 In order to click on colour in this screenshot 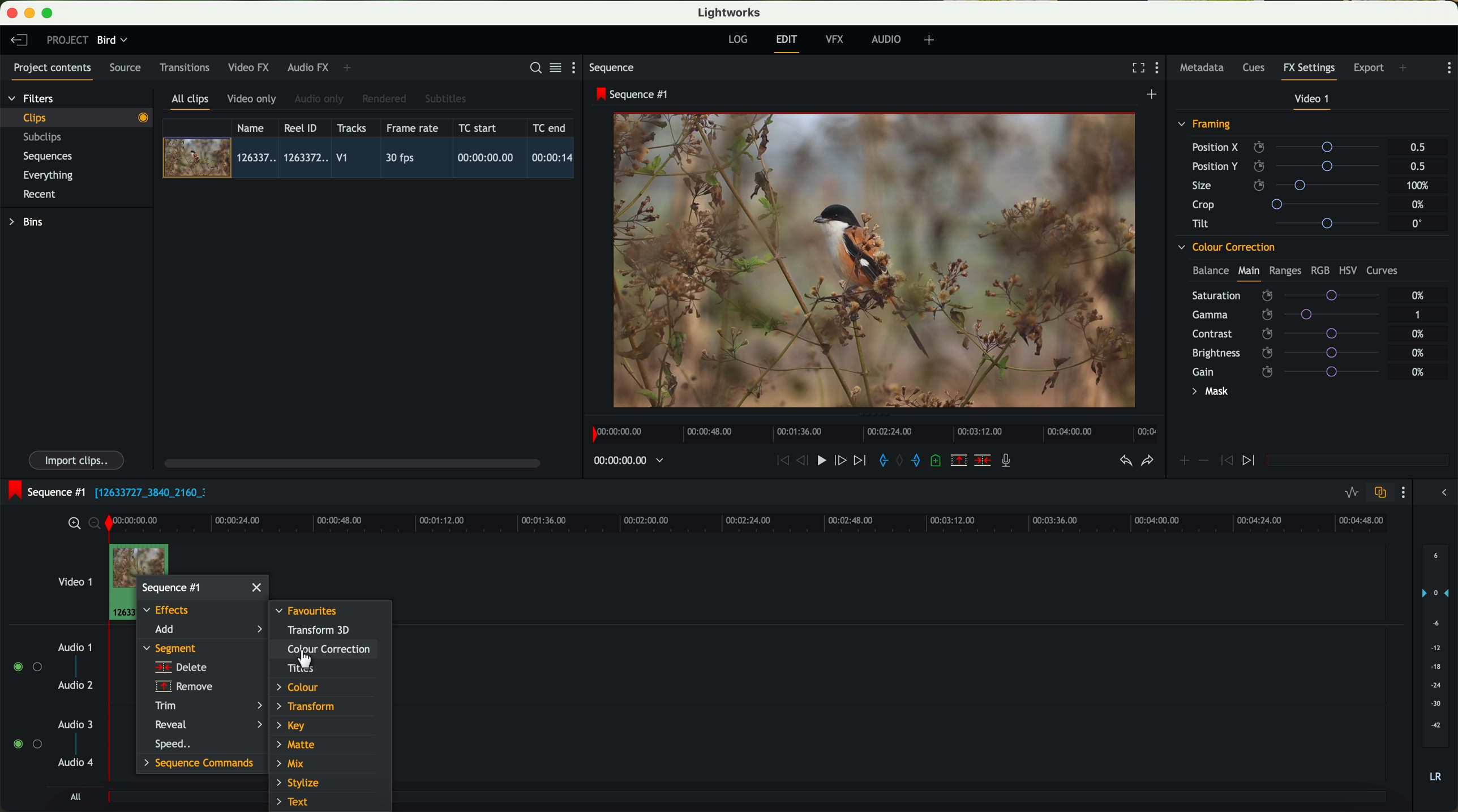, I will do `click(300, 687)`.